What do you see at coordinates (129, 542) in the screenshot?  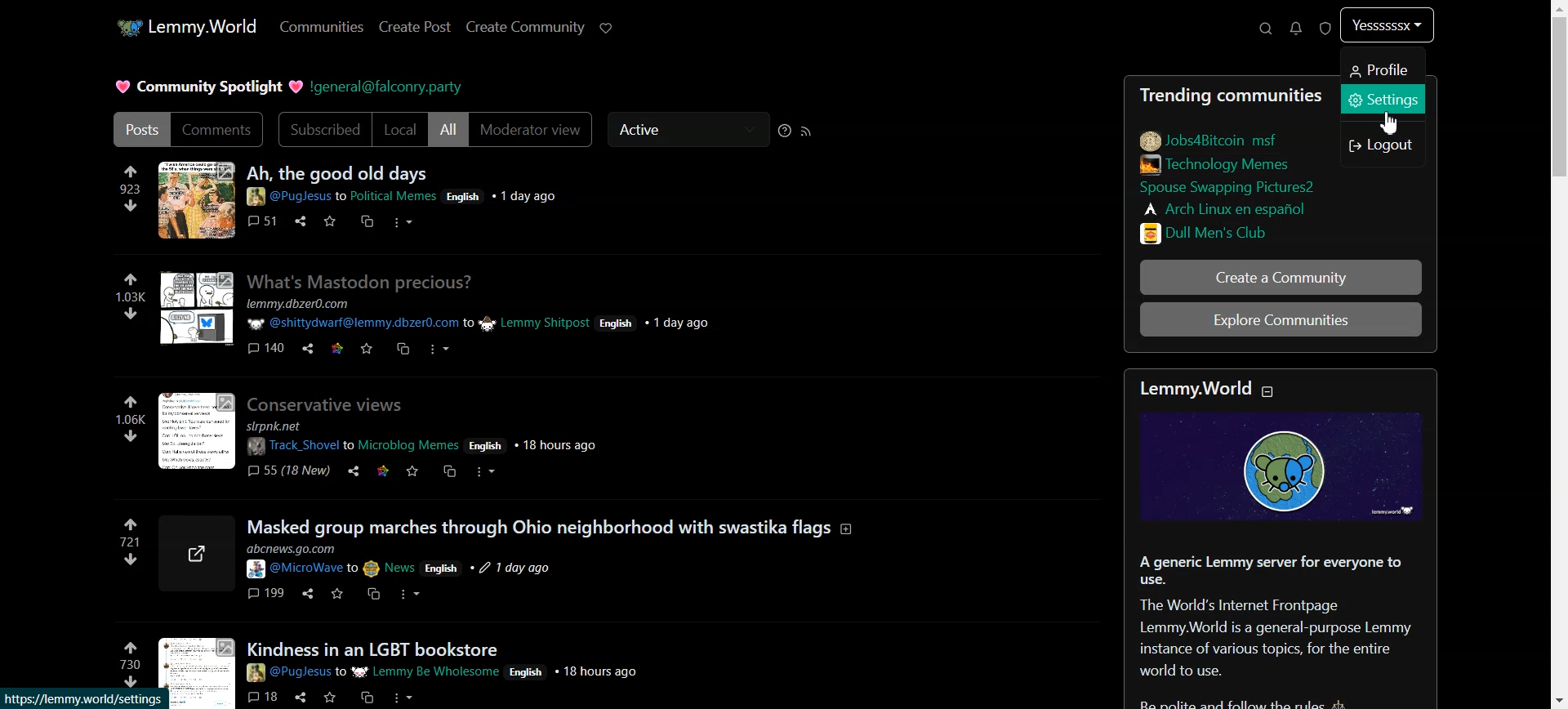 I see `numbers` at bounding box center [129, 542].